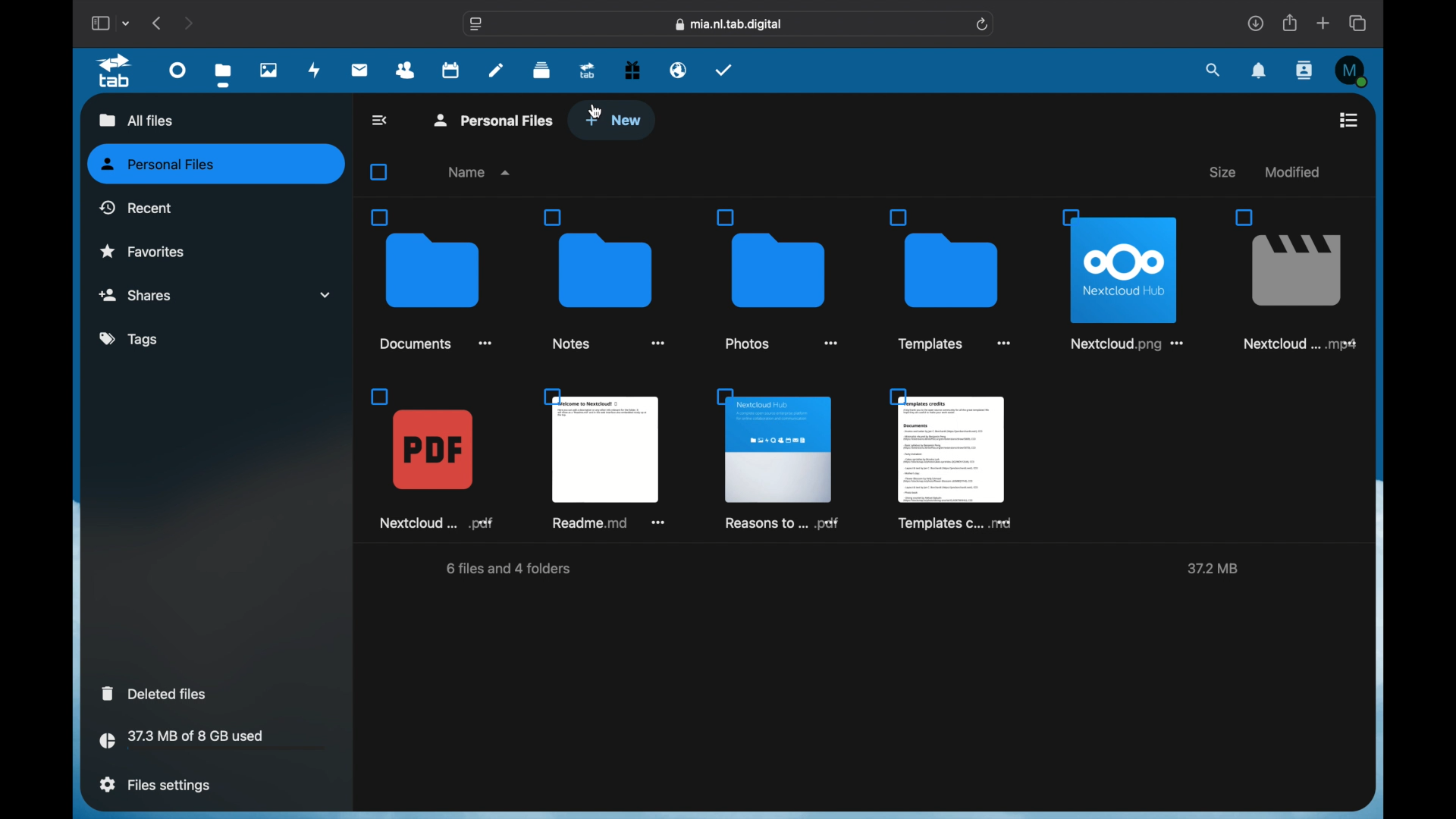  I want to click on file, so click(1127, 276).